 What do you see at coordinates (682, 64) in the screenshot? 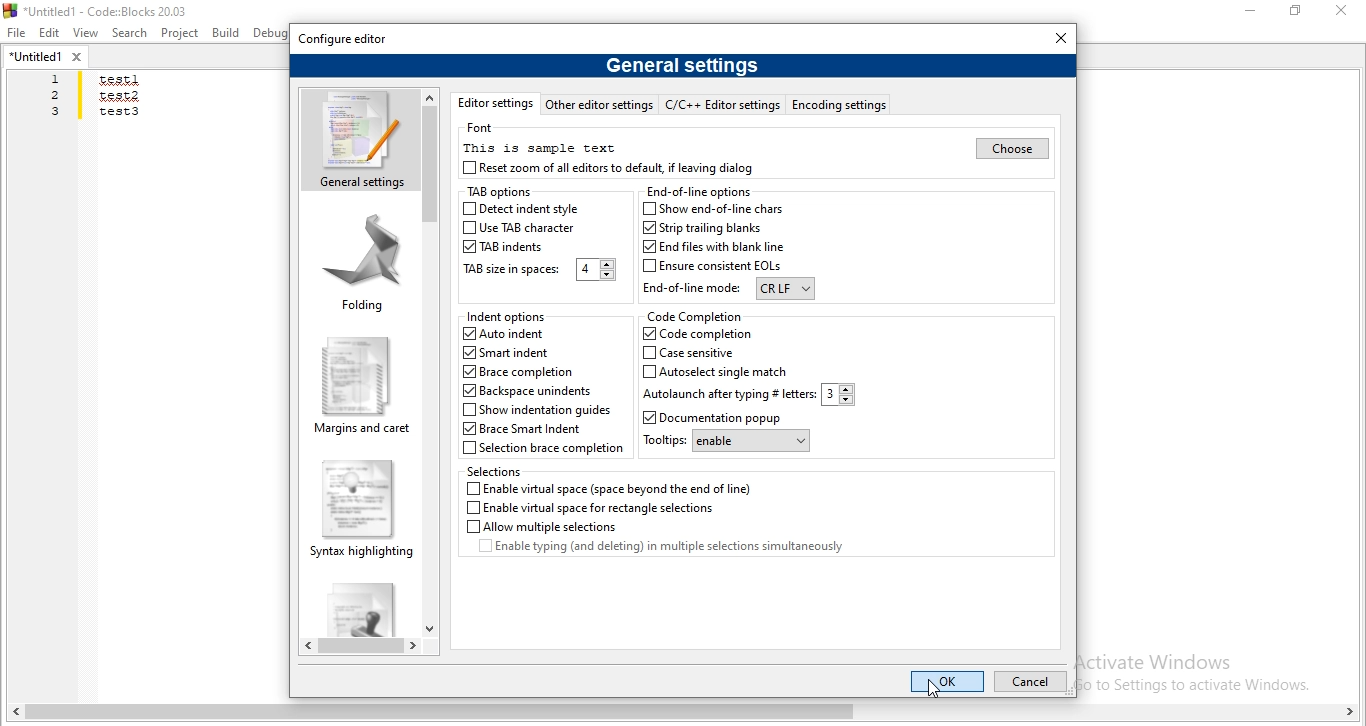
I see `general settings` at bounding box center [682, 64].